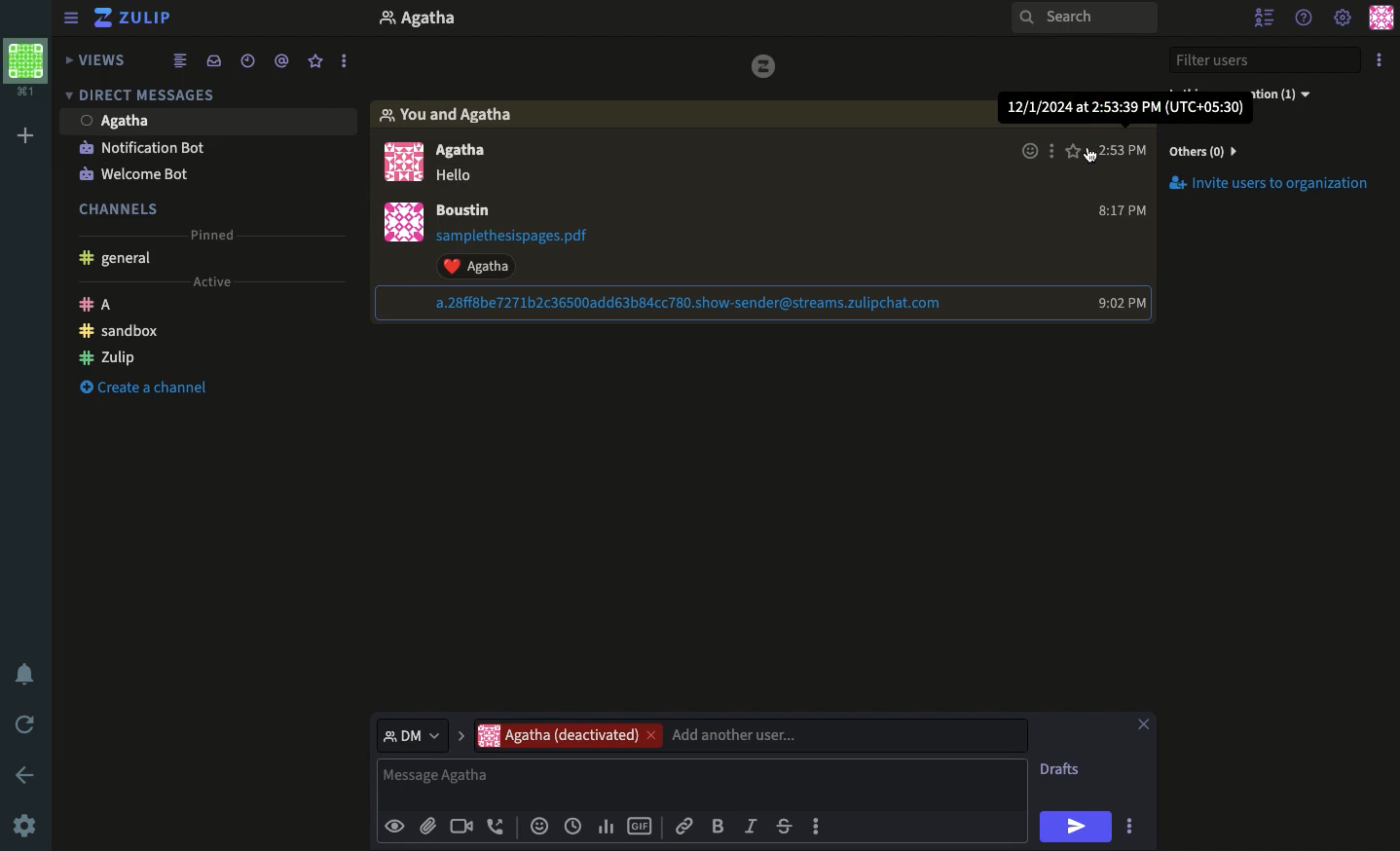 This screenshot has height=851, width=1400. Describe the element at coordinates (1215, 152) in the screenshot. I see `Others` at that location.